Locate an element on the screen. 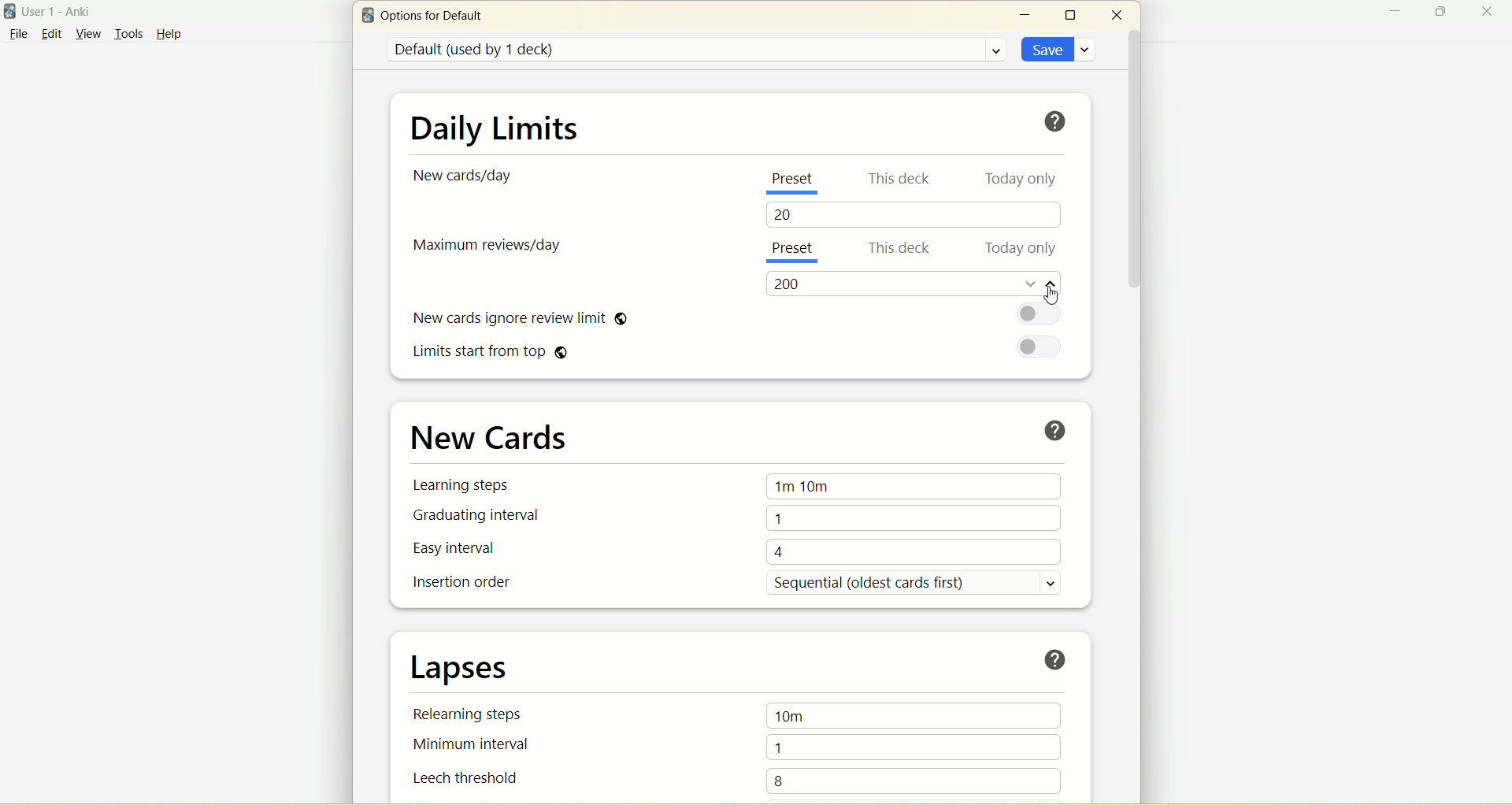  help is located at coordinates (1056, 427).